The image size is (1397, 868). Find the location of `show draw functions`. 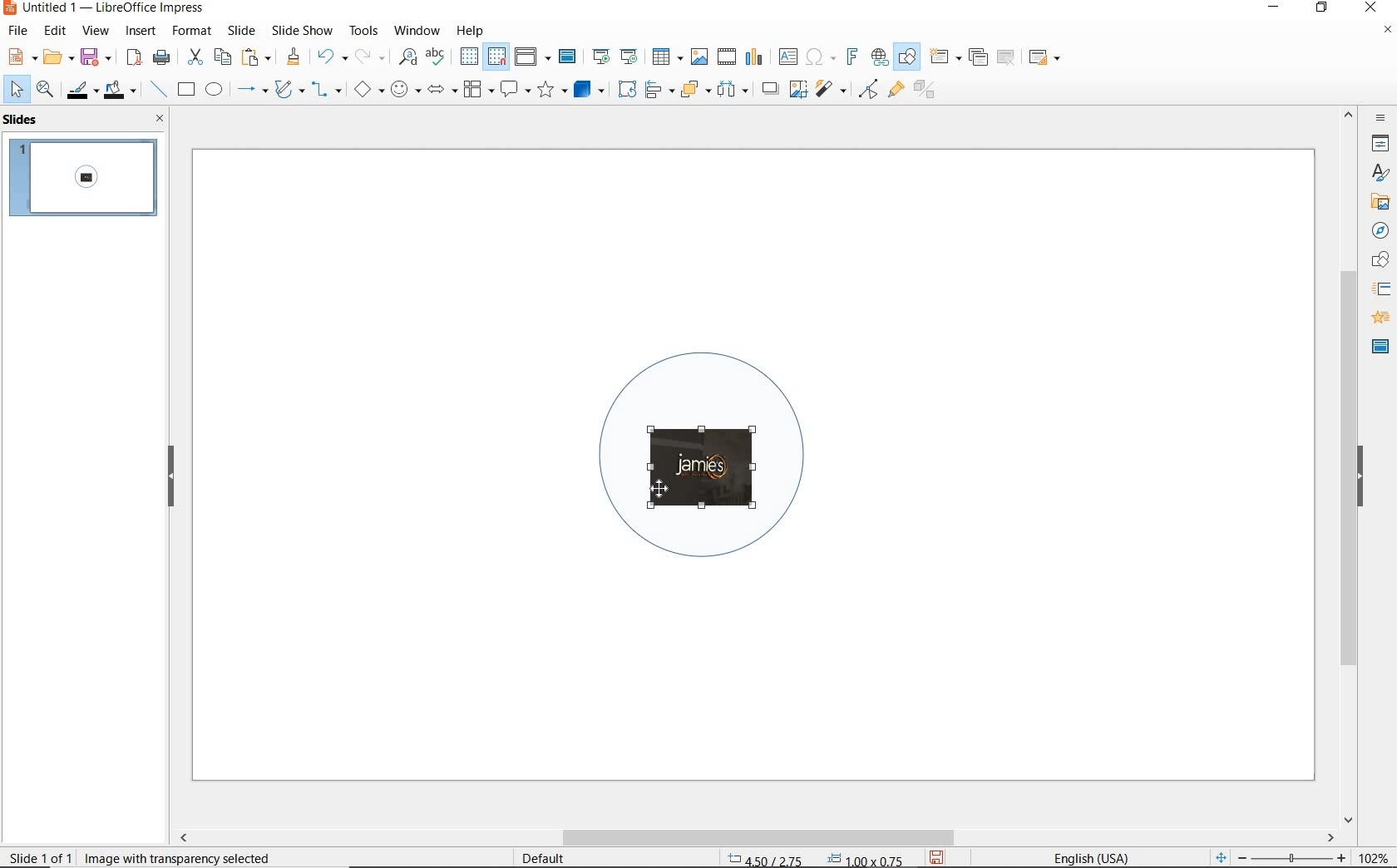

show draw functions is located at coordinates (907, 57).